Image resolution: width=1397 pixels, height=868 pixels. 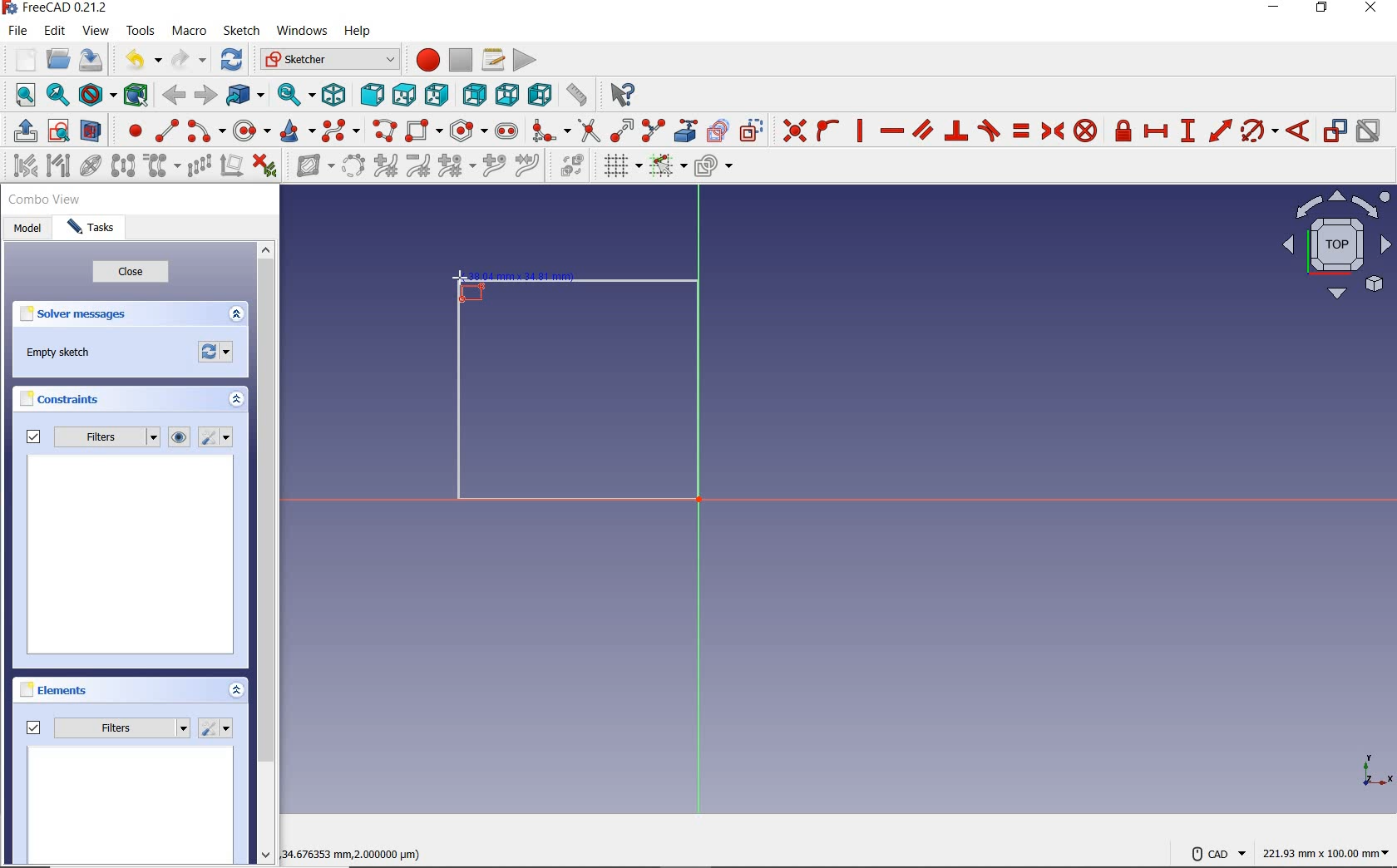 What do you see at coordinates (439, 96) in the screenshot?
I see `right` at bounding box center [439, 96].